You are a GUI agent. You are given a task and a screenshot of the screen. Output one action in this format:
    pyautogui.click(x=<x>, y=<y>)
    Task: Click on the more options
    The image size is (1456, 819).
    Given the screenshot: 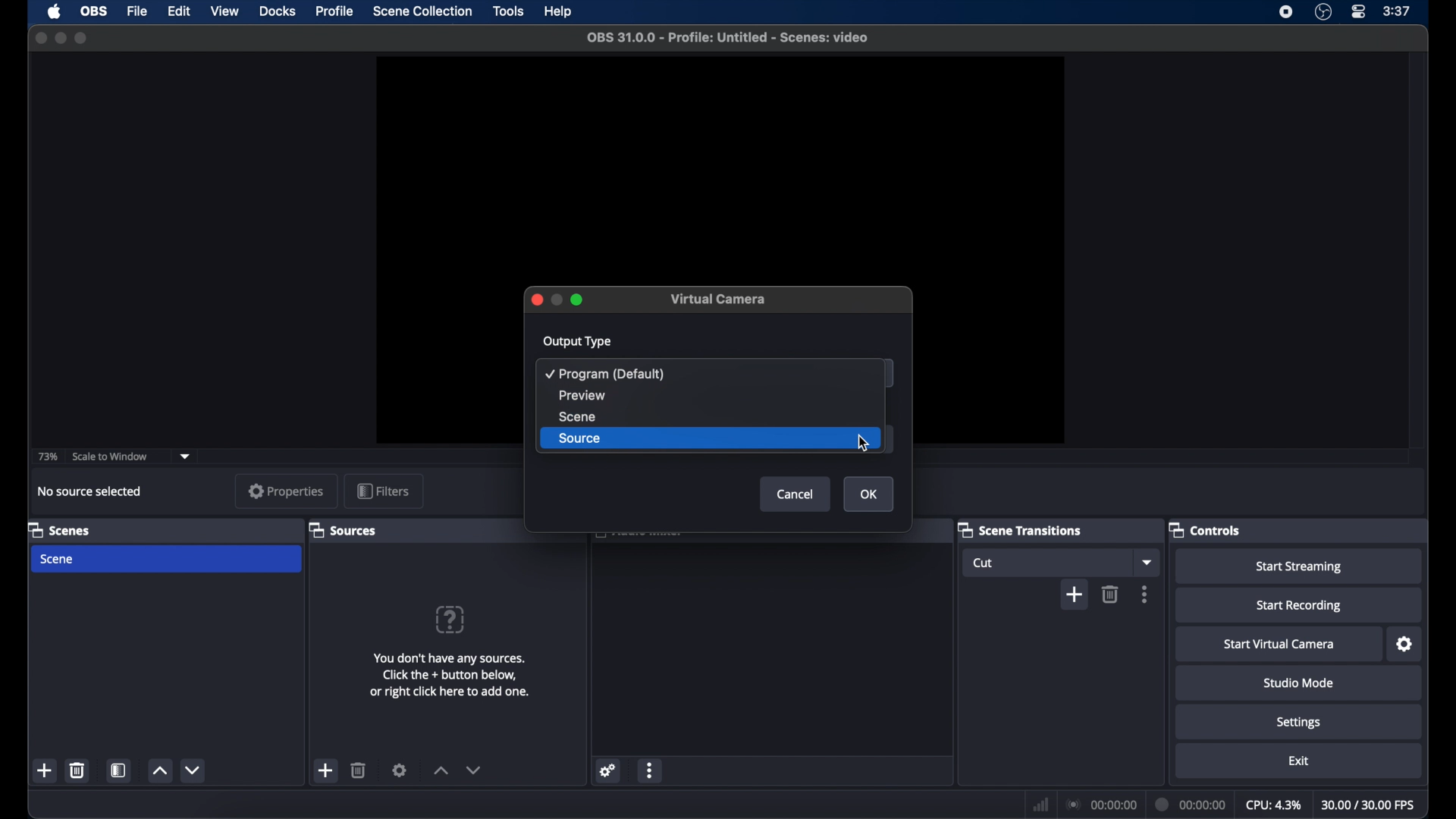 What is the action you would take?
    pyautogui.click(x=650, y=770)
    